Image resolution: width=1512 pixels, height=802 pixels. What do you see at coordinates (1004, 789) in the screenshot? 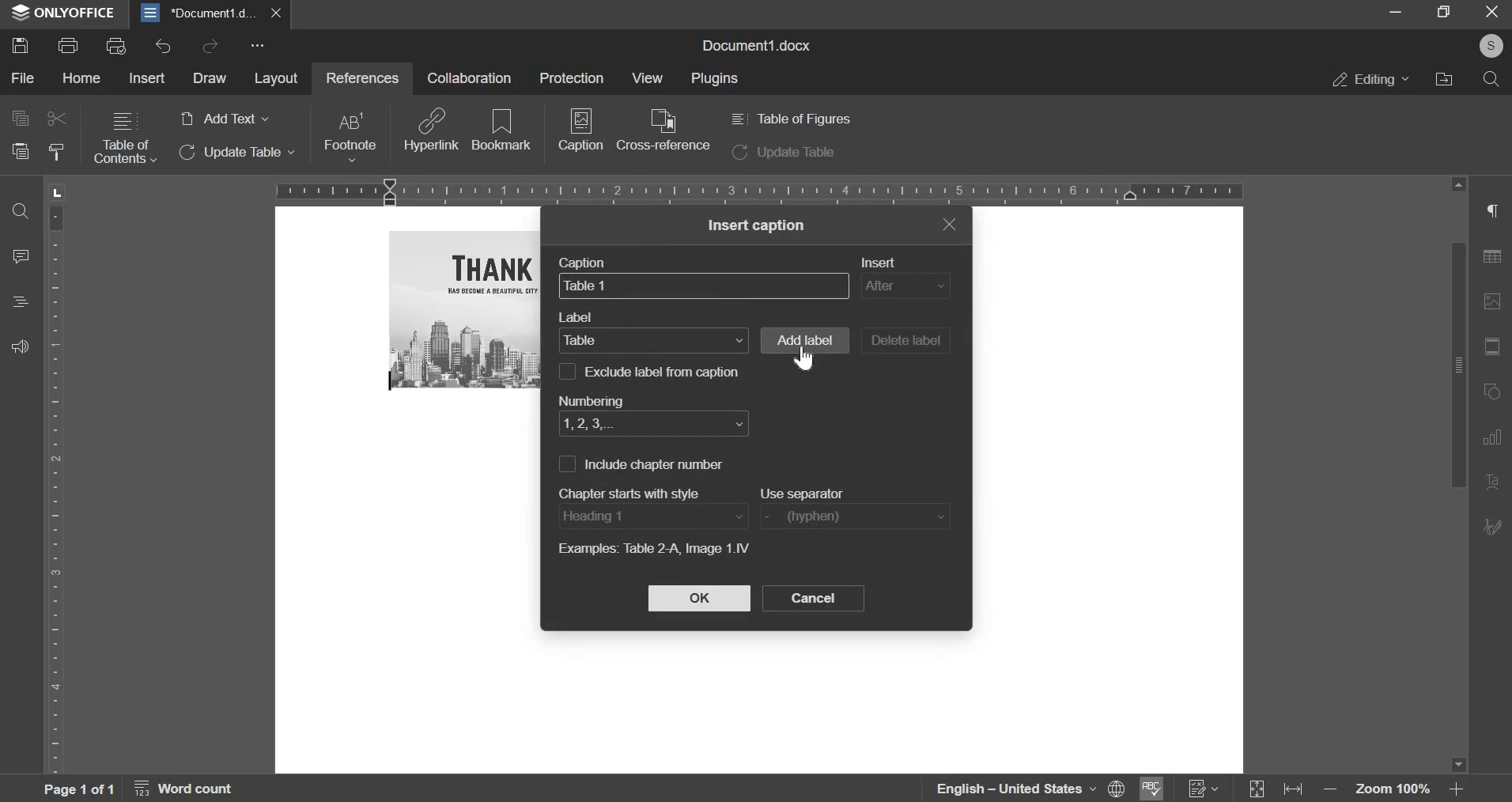
I see `language` at bounding box center [1004, 789].